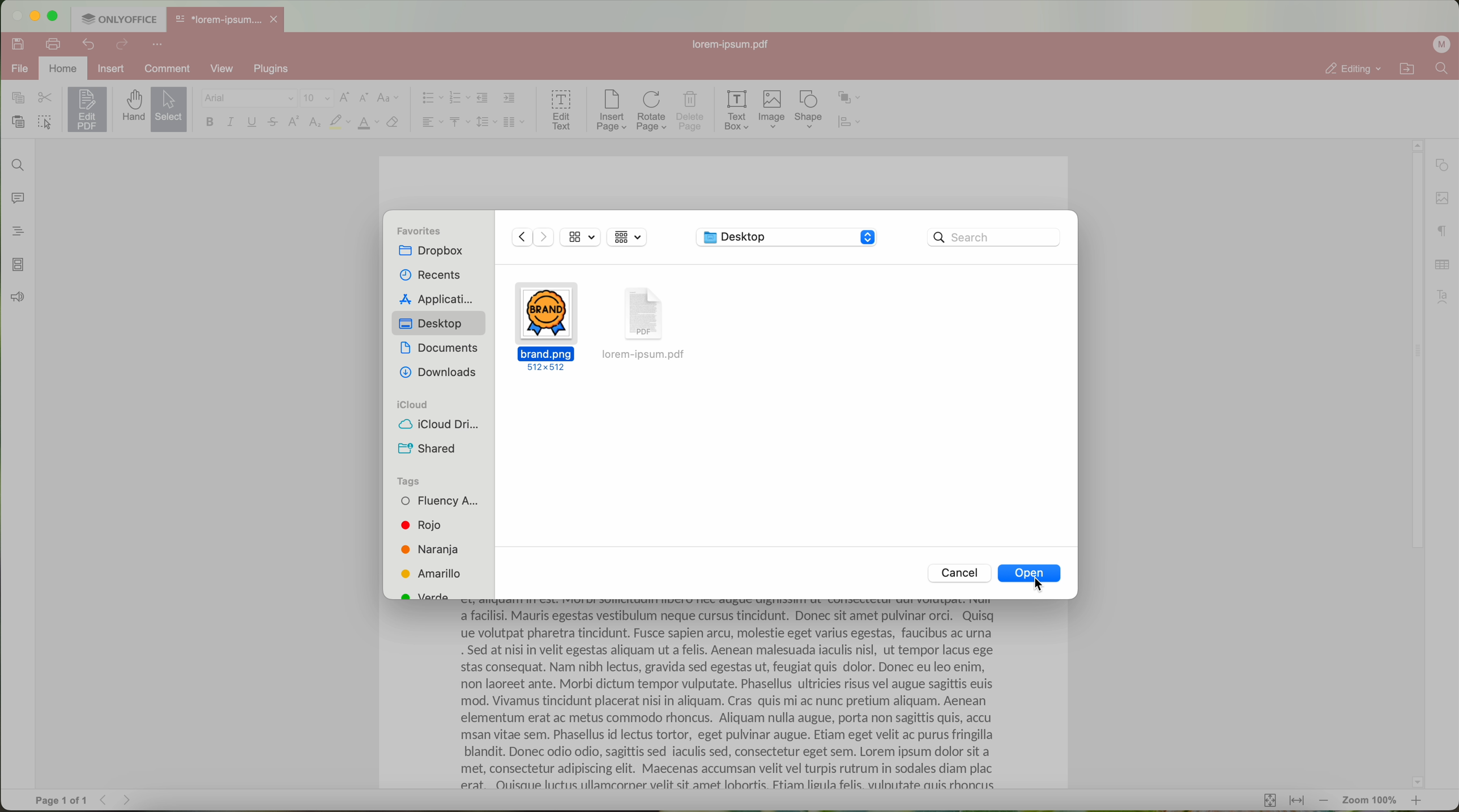 This screenshot has height=812, width=1459. What do you see at coordinates (217, 17) in the screenshot?
I see `*lorem-ipsum....` at bounding box center [217, 17].